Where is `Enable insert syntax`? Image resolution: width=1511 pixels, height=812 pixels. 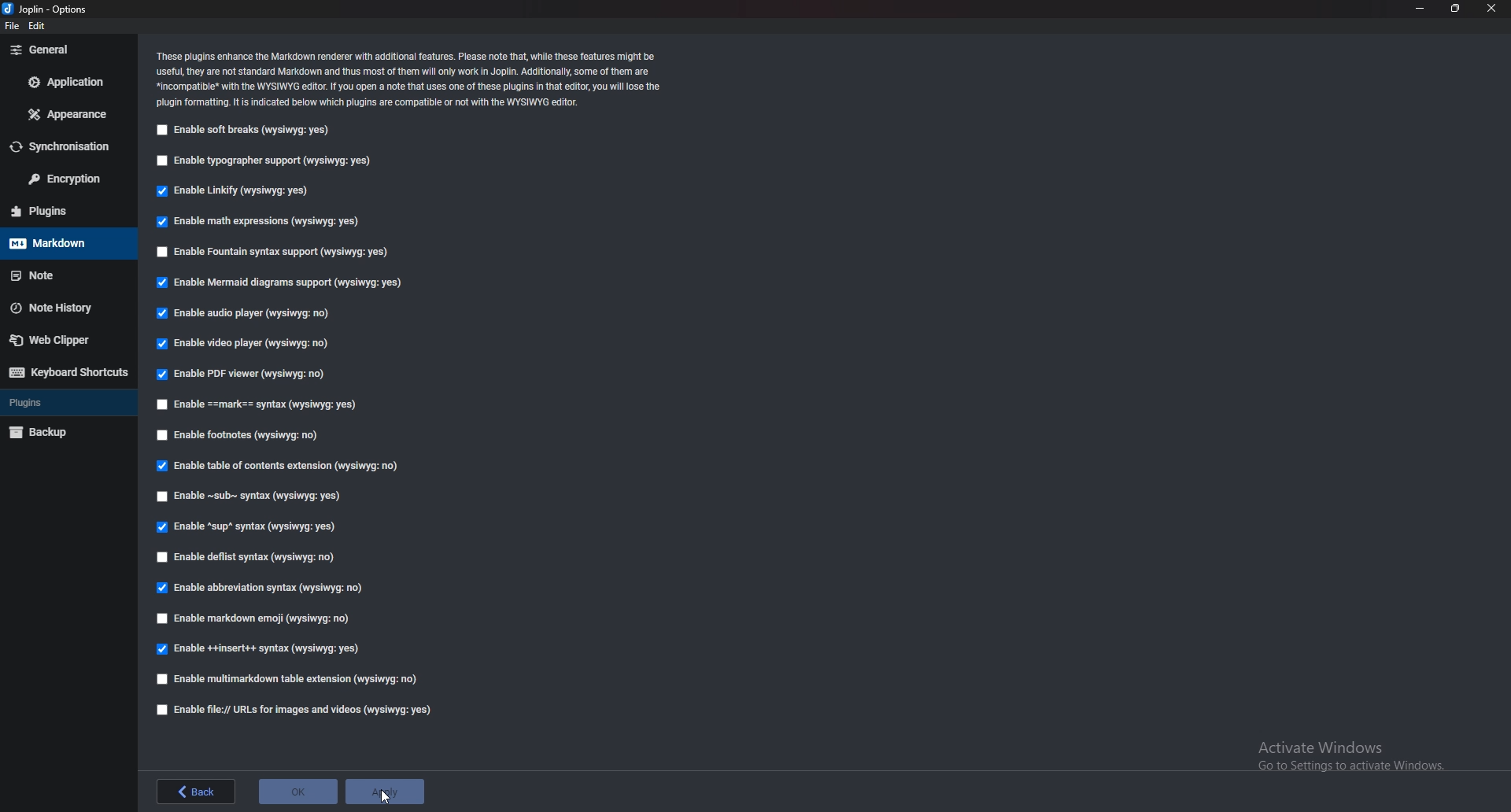
Enable insert syntax is located at coordinates (270, 648).